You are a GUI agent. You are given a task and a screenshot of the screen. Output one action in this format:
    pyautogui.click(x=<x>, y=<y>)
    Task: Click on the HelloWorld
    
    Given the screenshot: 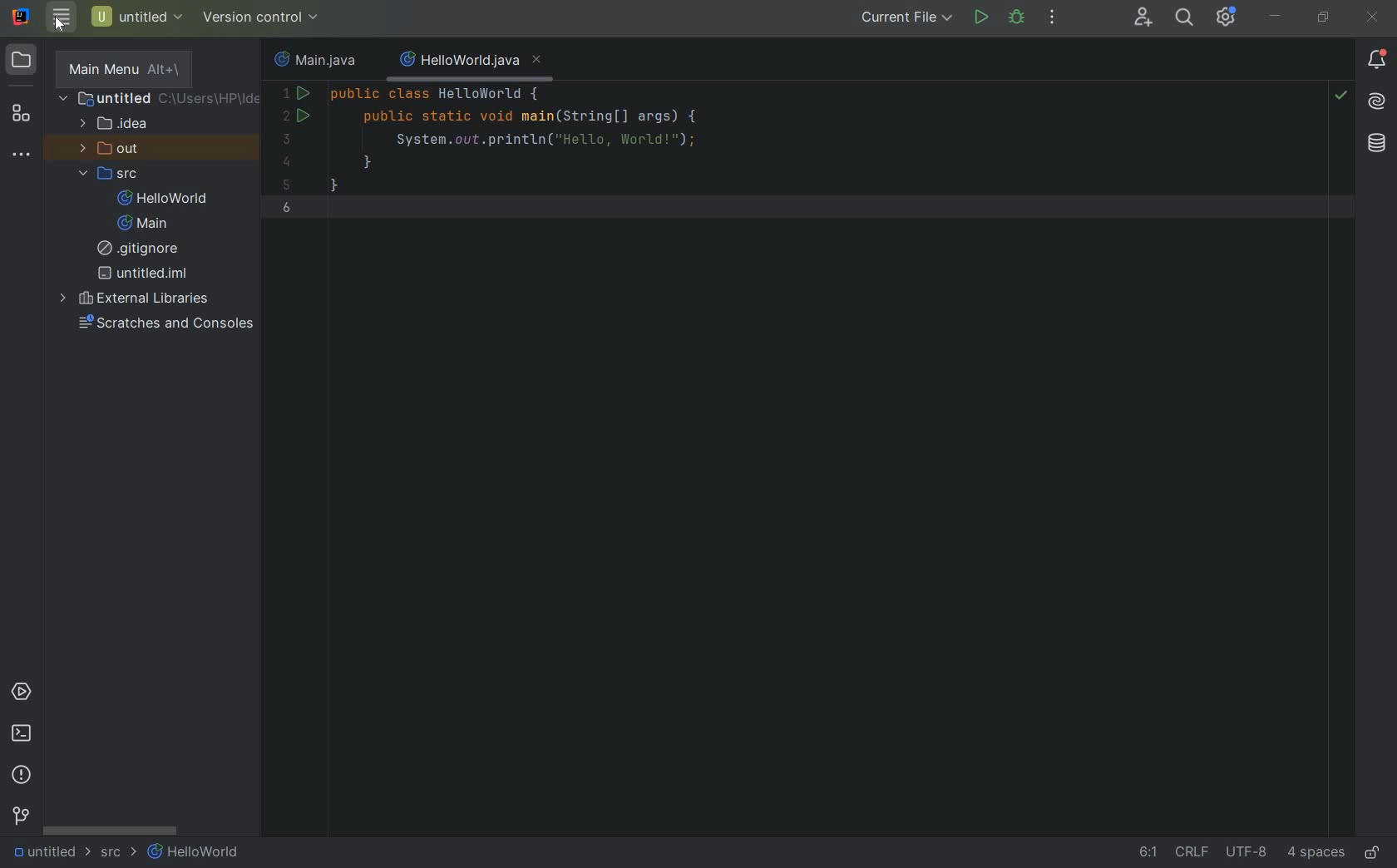 What is the action you would take?
    pyautogui.click(x=195, y=853)
    